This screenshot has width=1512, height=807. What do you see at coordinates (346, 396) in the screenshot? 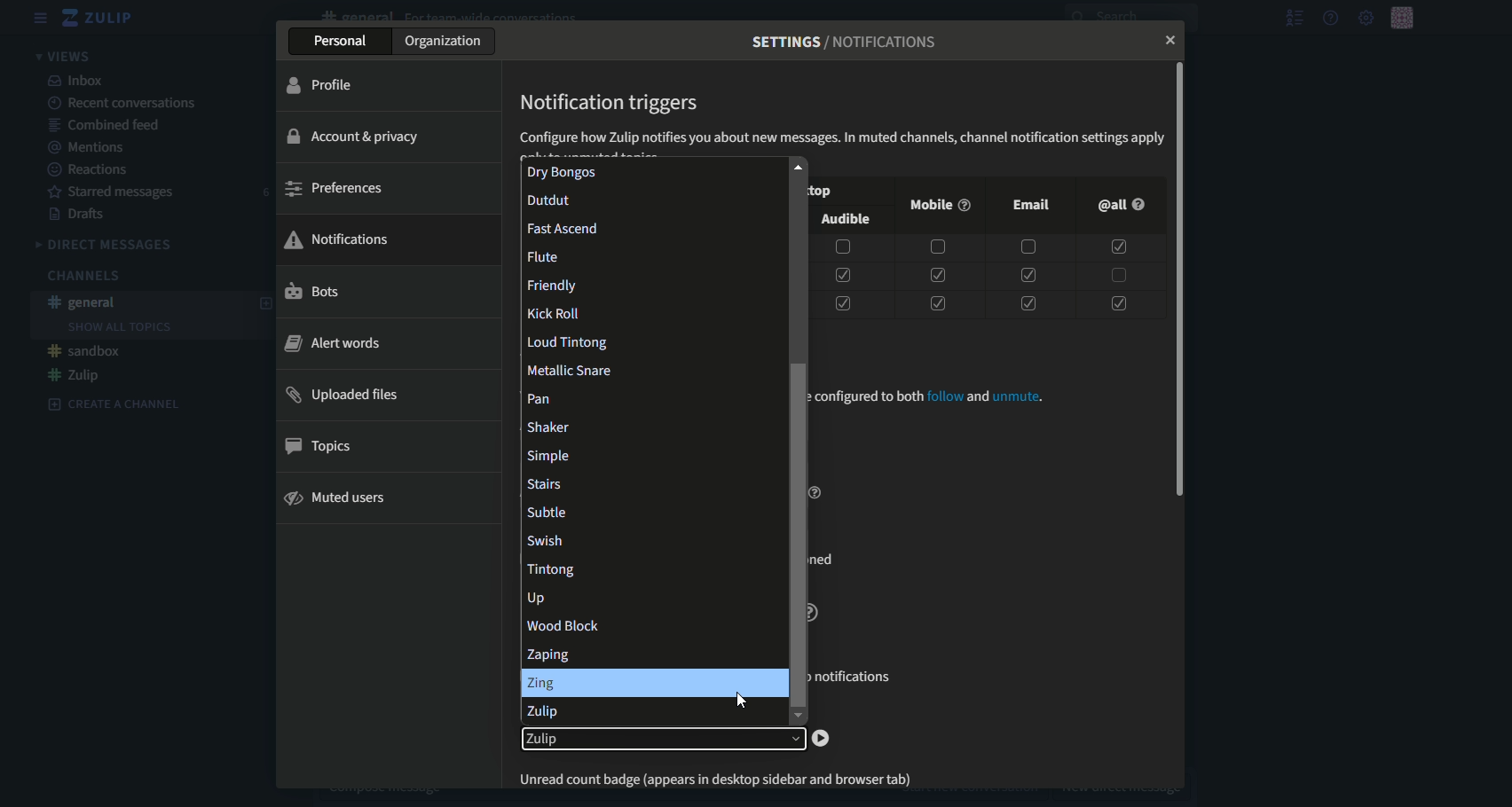
I see `uploaded files` at bounding box center [346, 396].